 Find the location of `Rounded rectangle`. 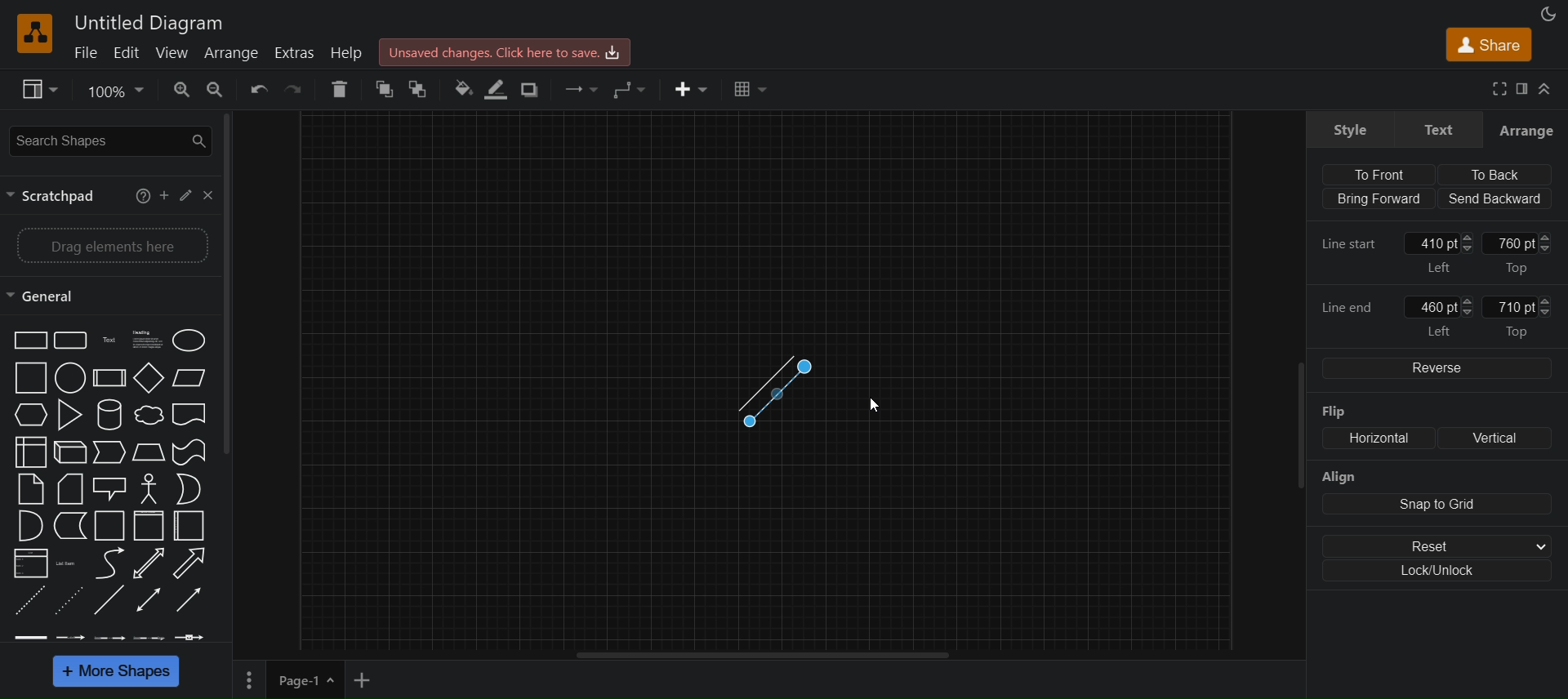

Rounded rectangle is located at coordinates (69, 340).